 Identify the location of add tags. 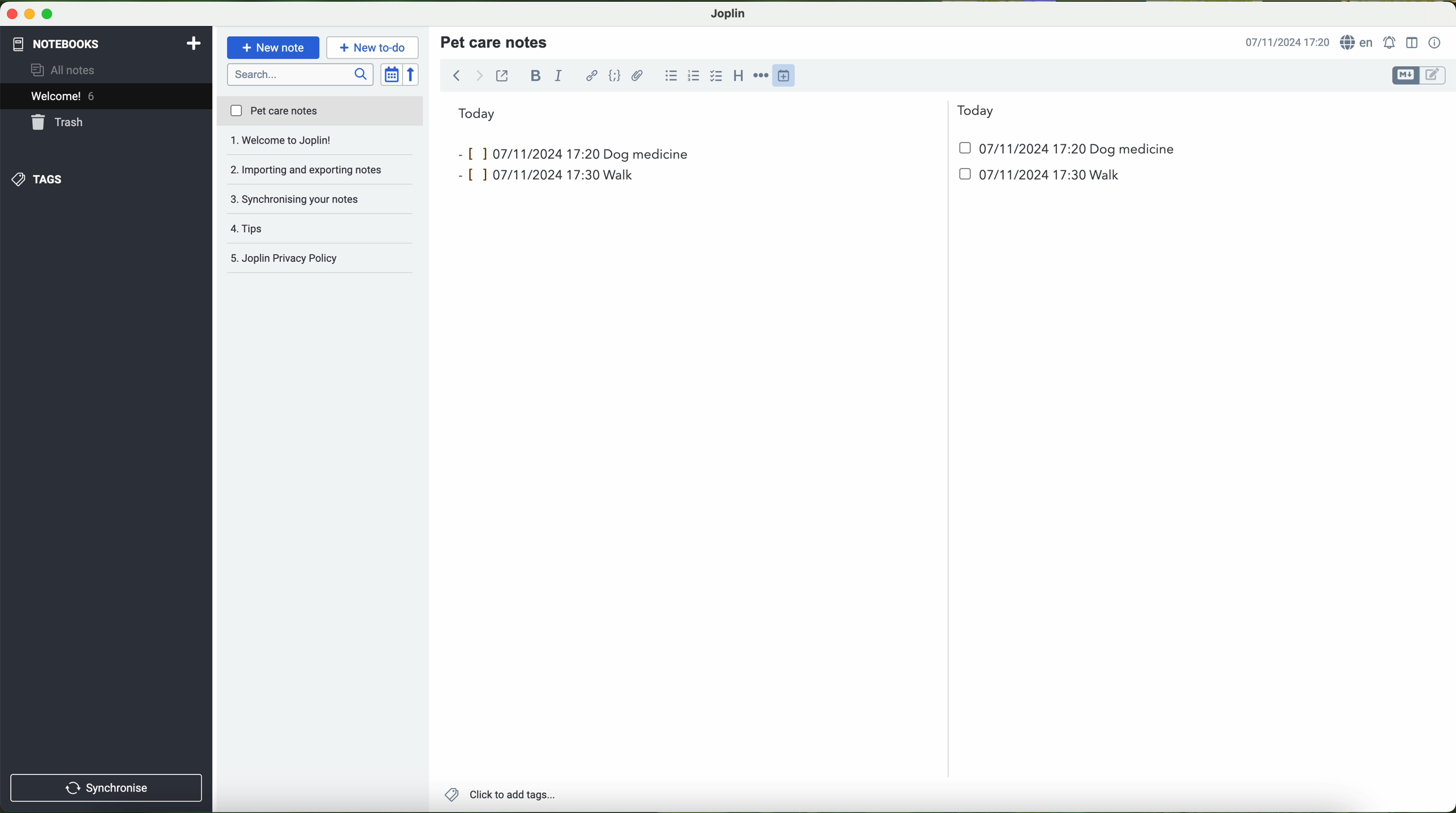
(500, 796).